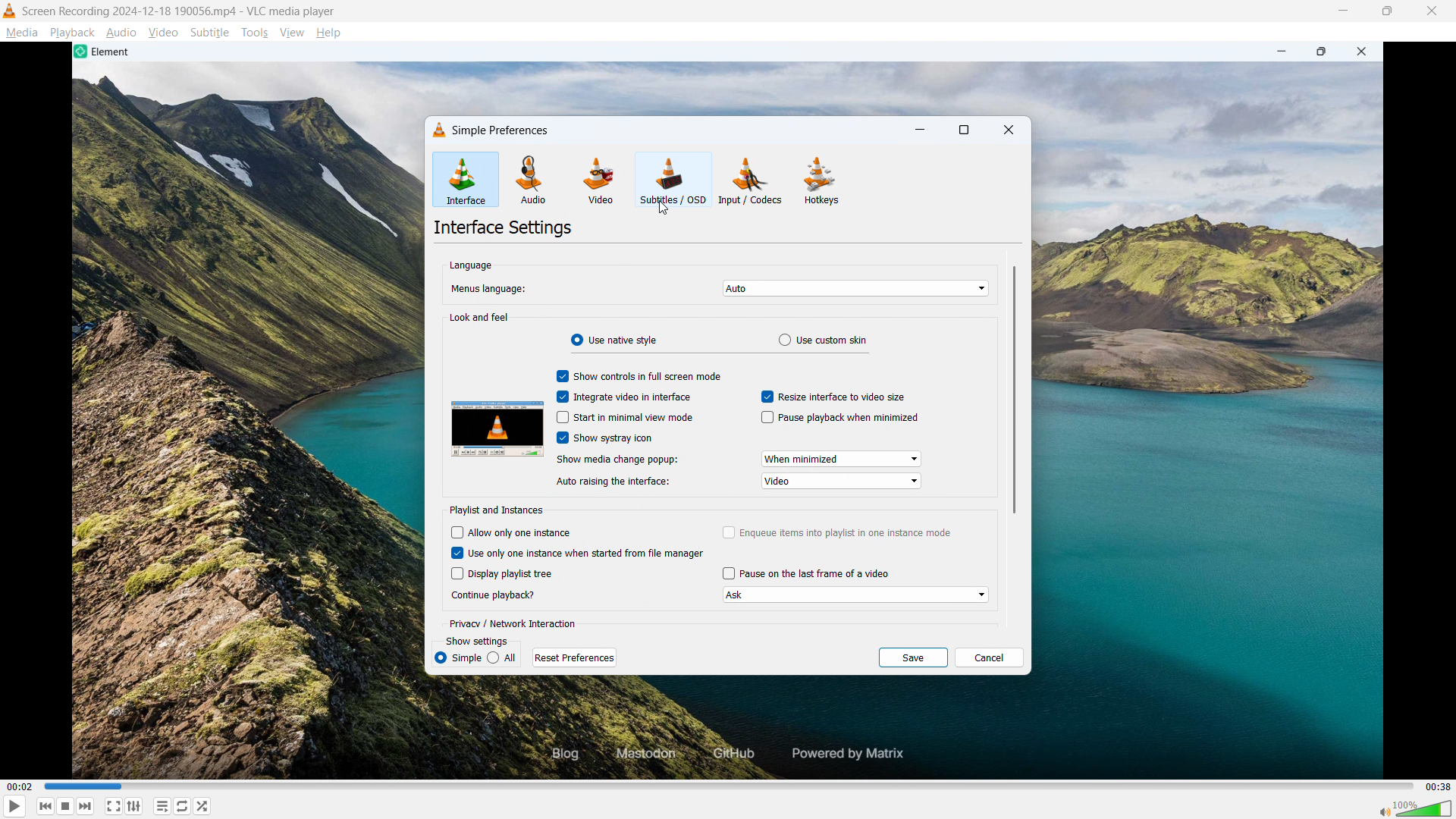  What do you see at coordinates (816, 573) in the screenshot?
I see `Pause on the last frame of a video ` at bounding box center [816, 573].